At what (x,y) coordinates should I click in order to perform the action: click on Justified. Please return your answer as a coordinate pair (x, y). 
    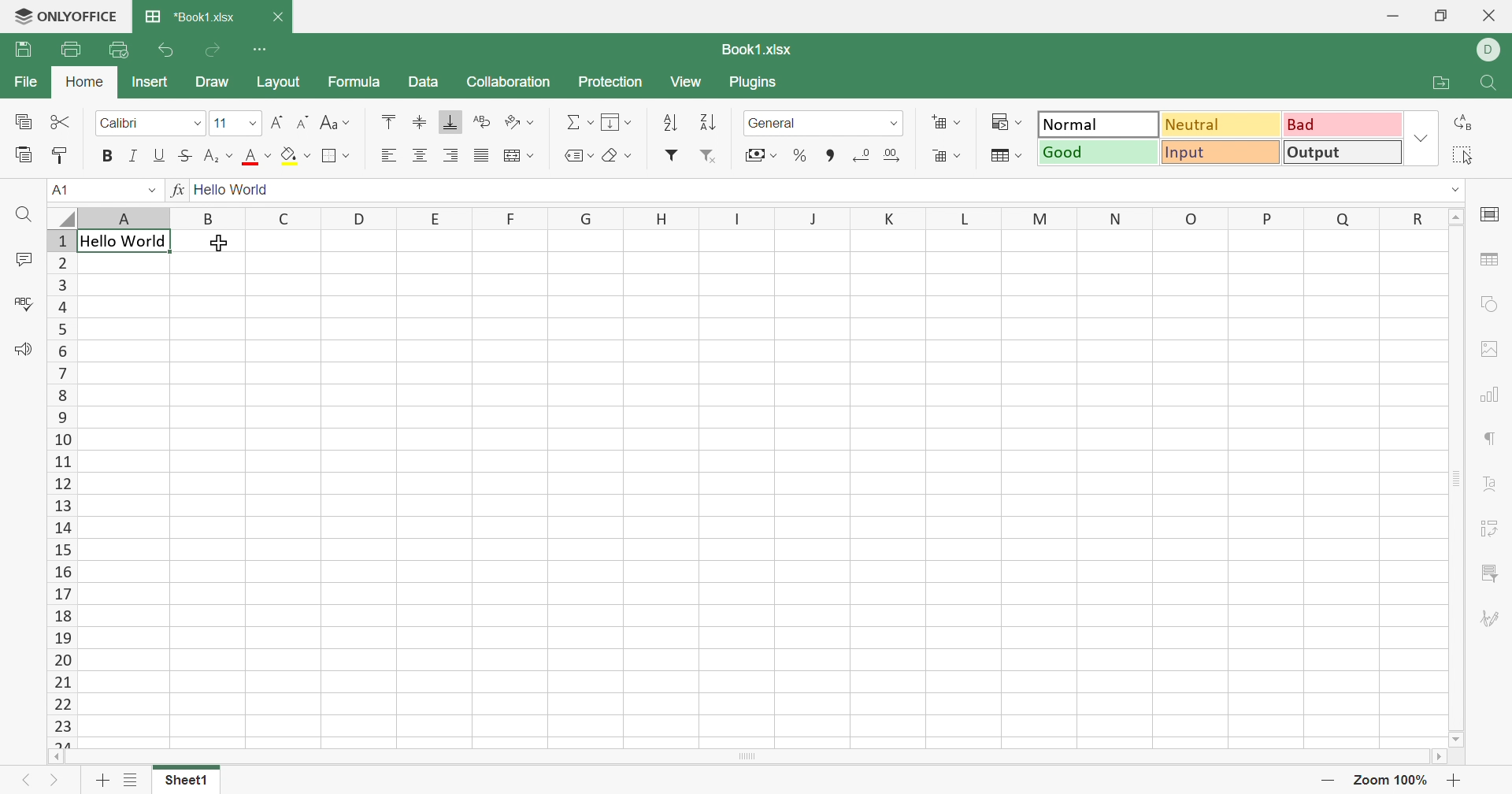
    Looking at the image, I should click on (480, 157).